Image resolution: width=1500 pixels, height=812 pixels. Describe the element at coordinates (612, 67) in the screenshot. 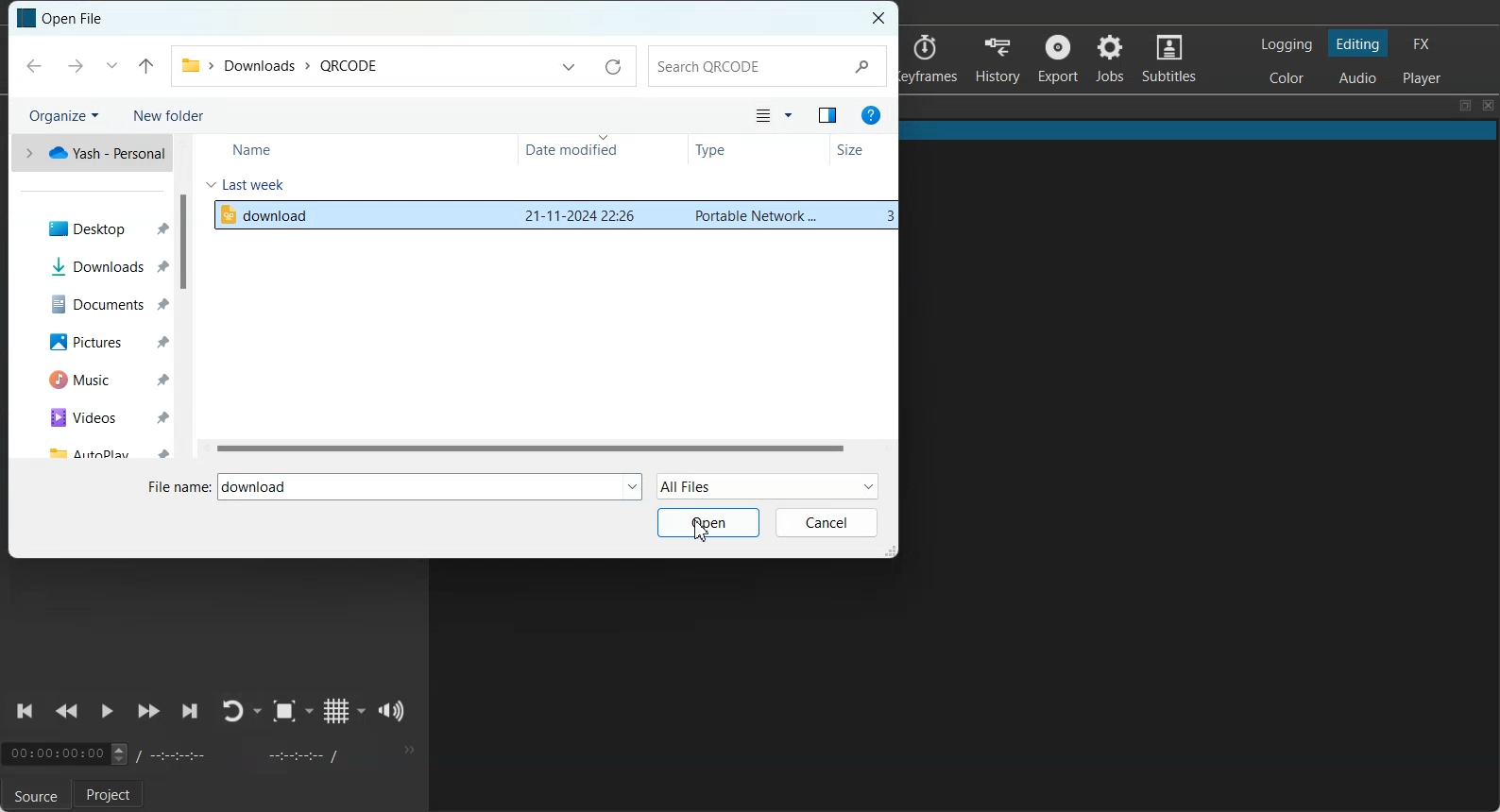

I see `Refresh` at that location.